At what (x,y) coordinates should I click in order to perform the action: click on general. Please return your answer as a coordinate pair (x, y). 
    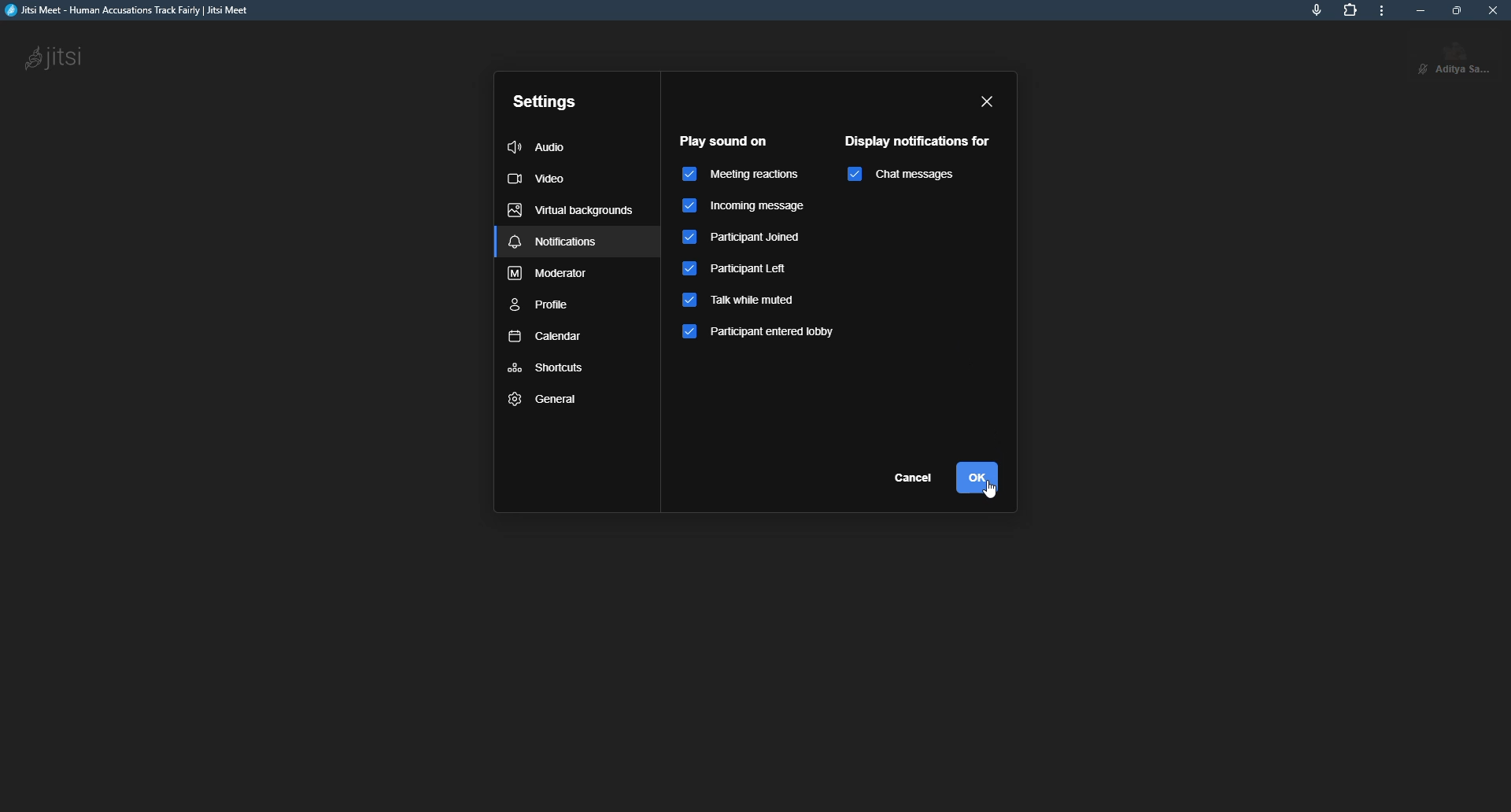
    Looking at the image, I should click on (545, 399).